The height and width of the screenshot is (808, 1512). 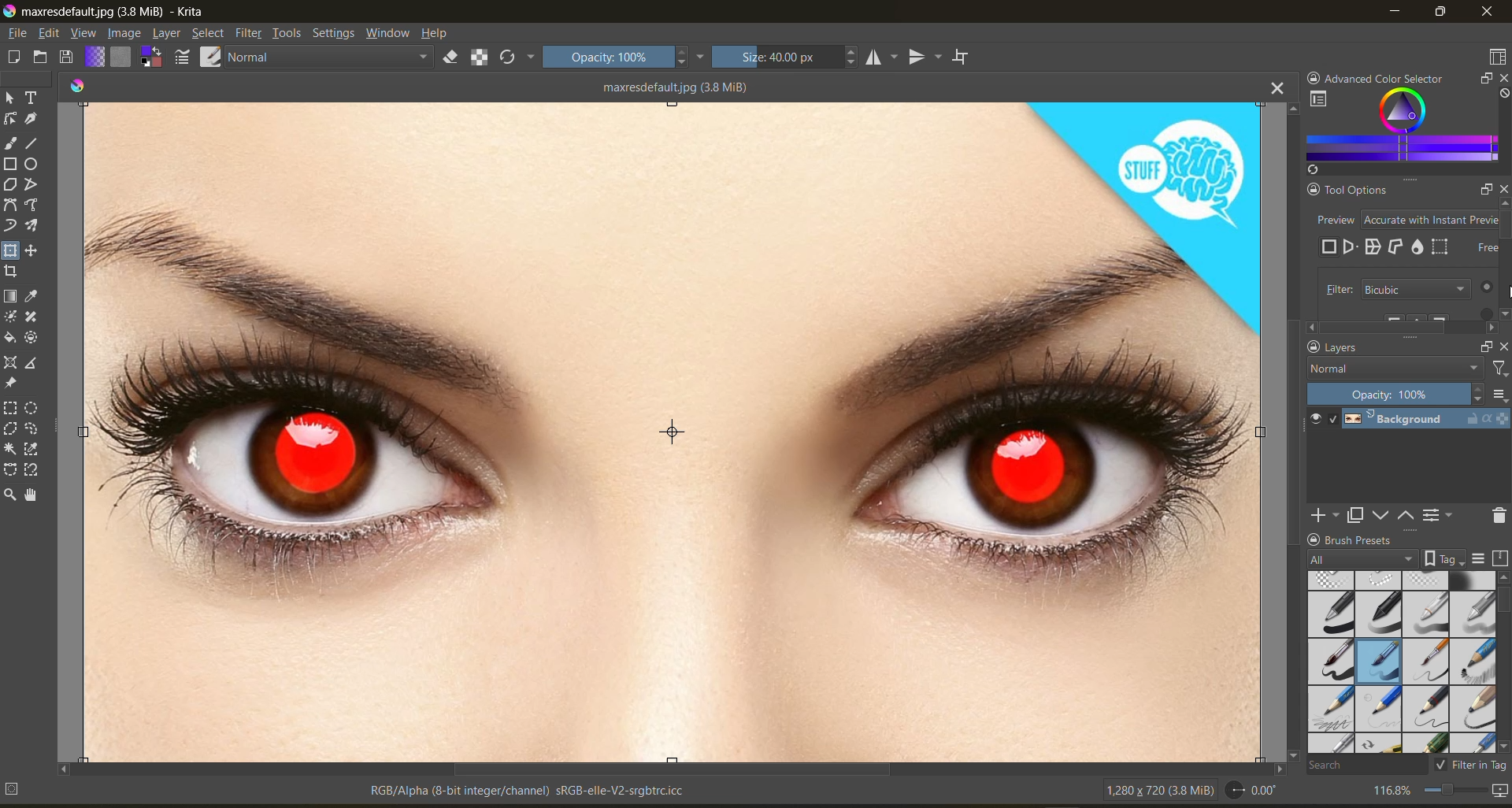 I want to click on open, so click(x=41, y=58).